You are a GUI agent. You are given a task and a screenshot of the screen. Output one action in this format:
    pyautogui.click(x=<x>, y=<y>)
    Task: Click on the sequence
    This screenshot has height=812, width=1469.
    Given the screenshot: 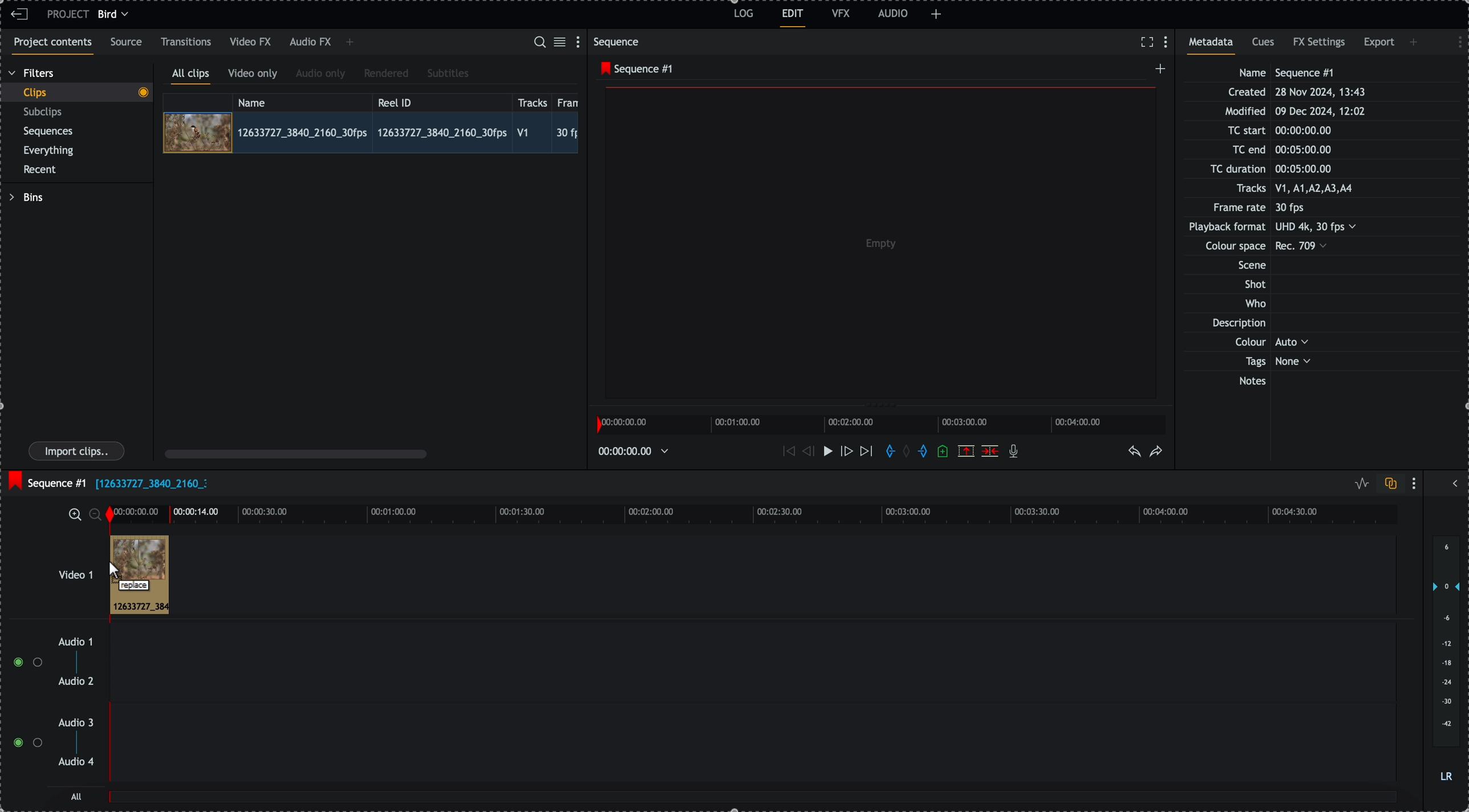 What is the action you would take?
    pyautogui.click(x=619, y=42)
    